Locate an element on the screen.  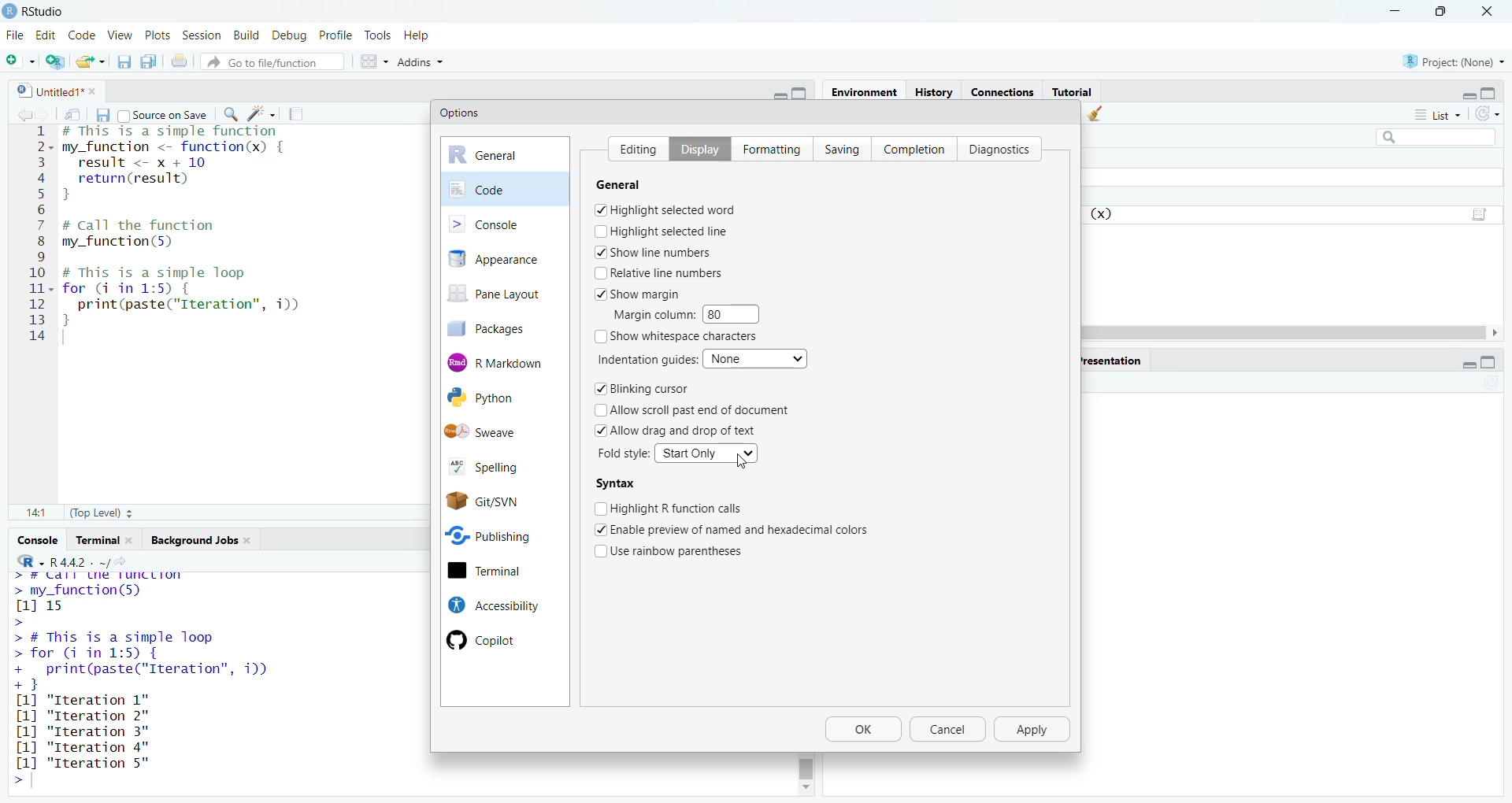
code of a simple function is located at coordinates (195, 165).